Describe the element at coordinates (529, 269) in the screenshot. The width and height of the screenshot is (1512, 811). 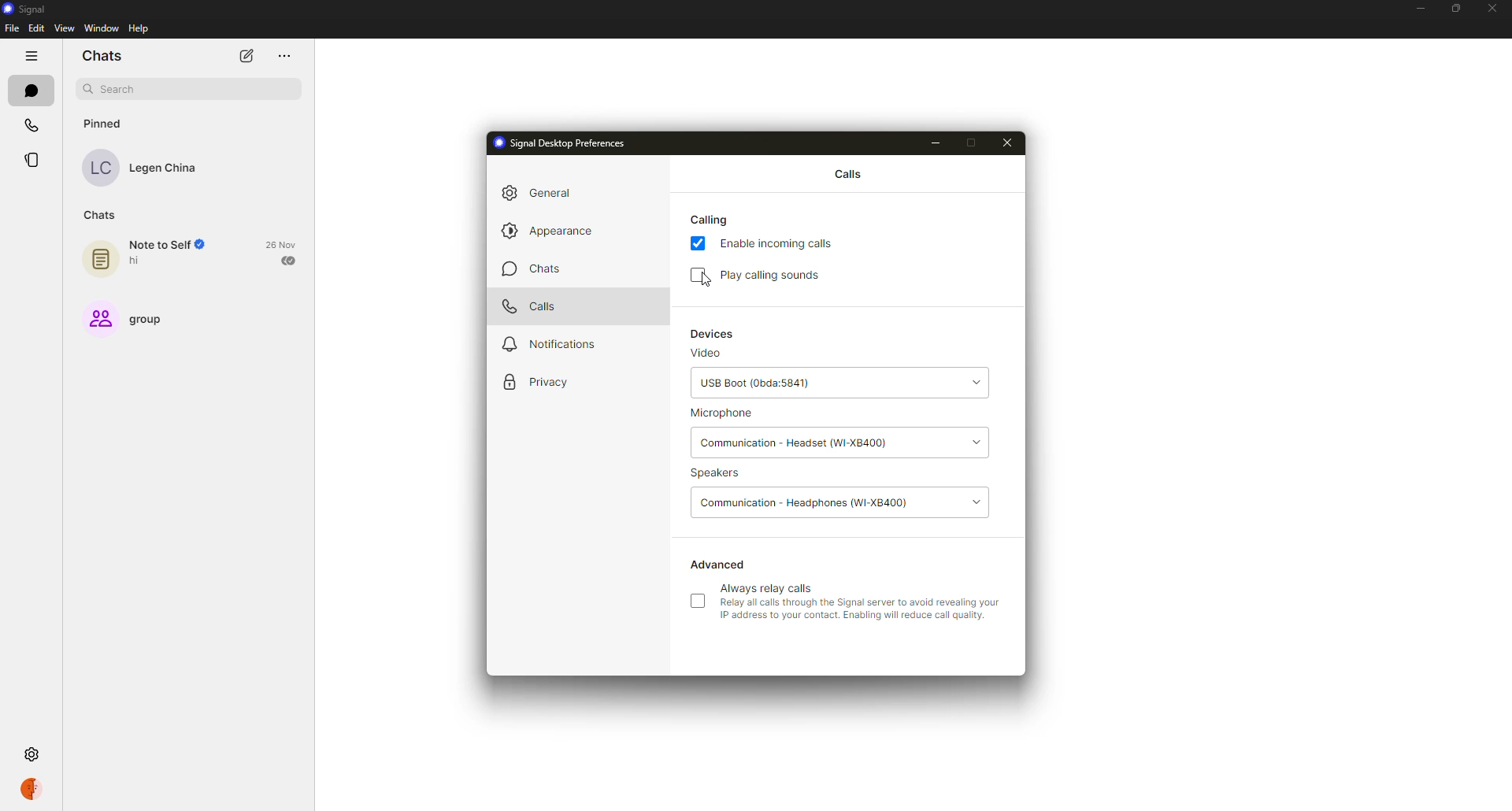
I see `chats` at that location.